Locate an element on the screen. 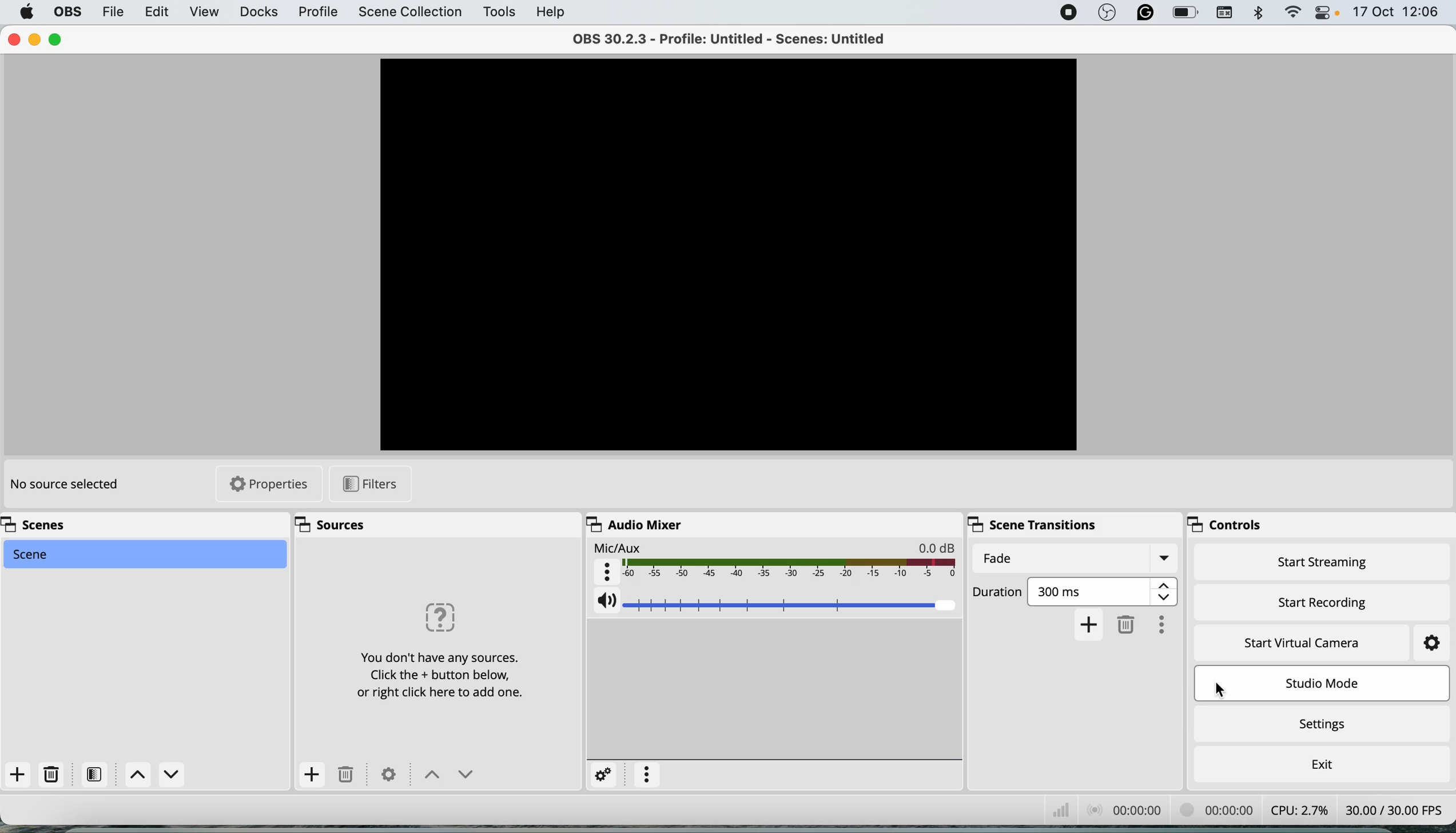 Image resolution: width=1456 pixels, height=833 pixels. screen recorder is located at coordinates (1071, 12).